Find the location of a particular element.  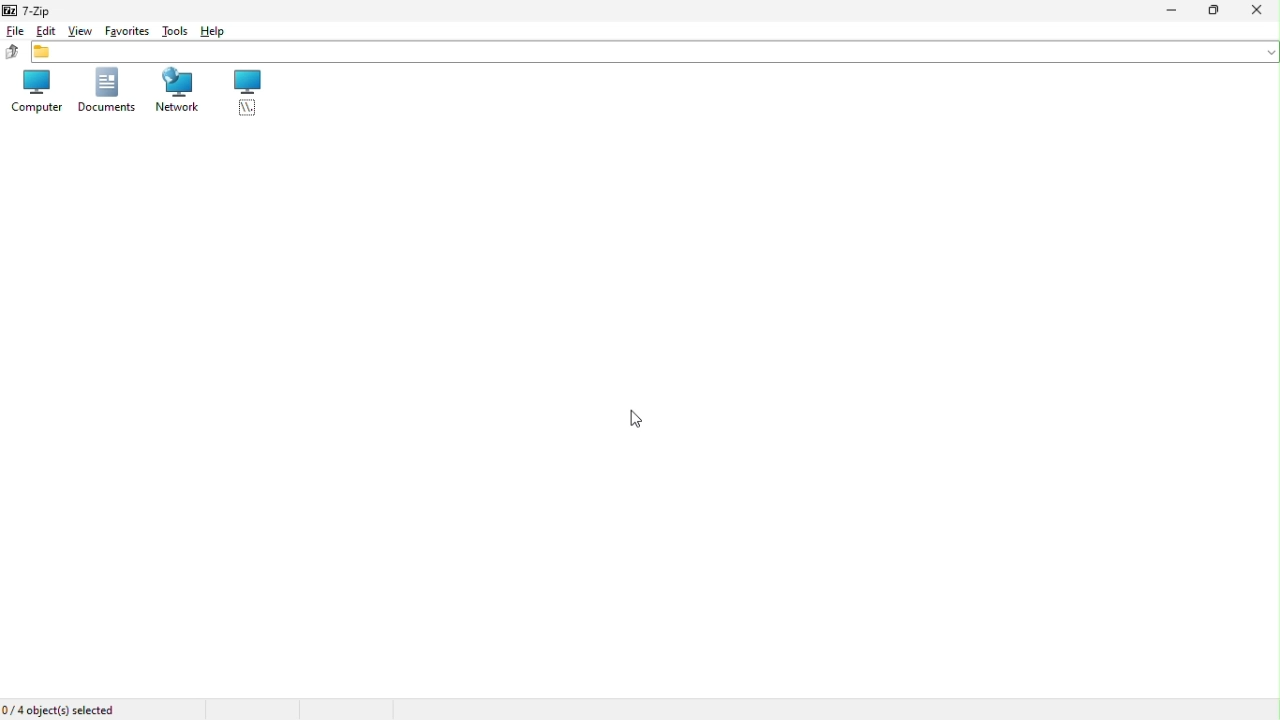

Computer is located at coordinates (38, 94).